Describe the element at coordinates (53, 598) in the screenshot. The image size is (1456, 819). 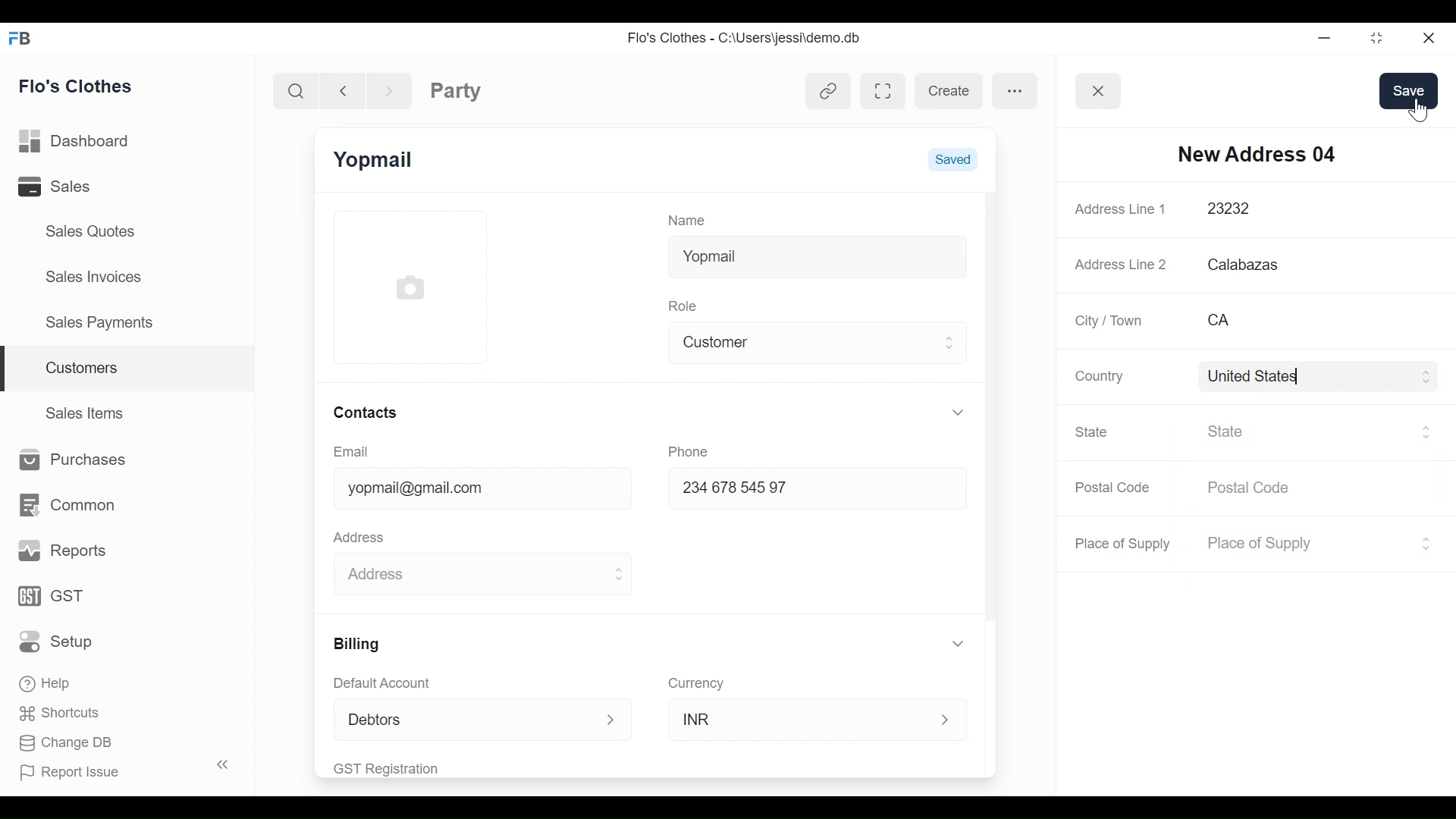
I see `GST` at that location.